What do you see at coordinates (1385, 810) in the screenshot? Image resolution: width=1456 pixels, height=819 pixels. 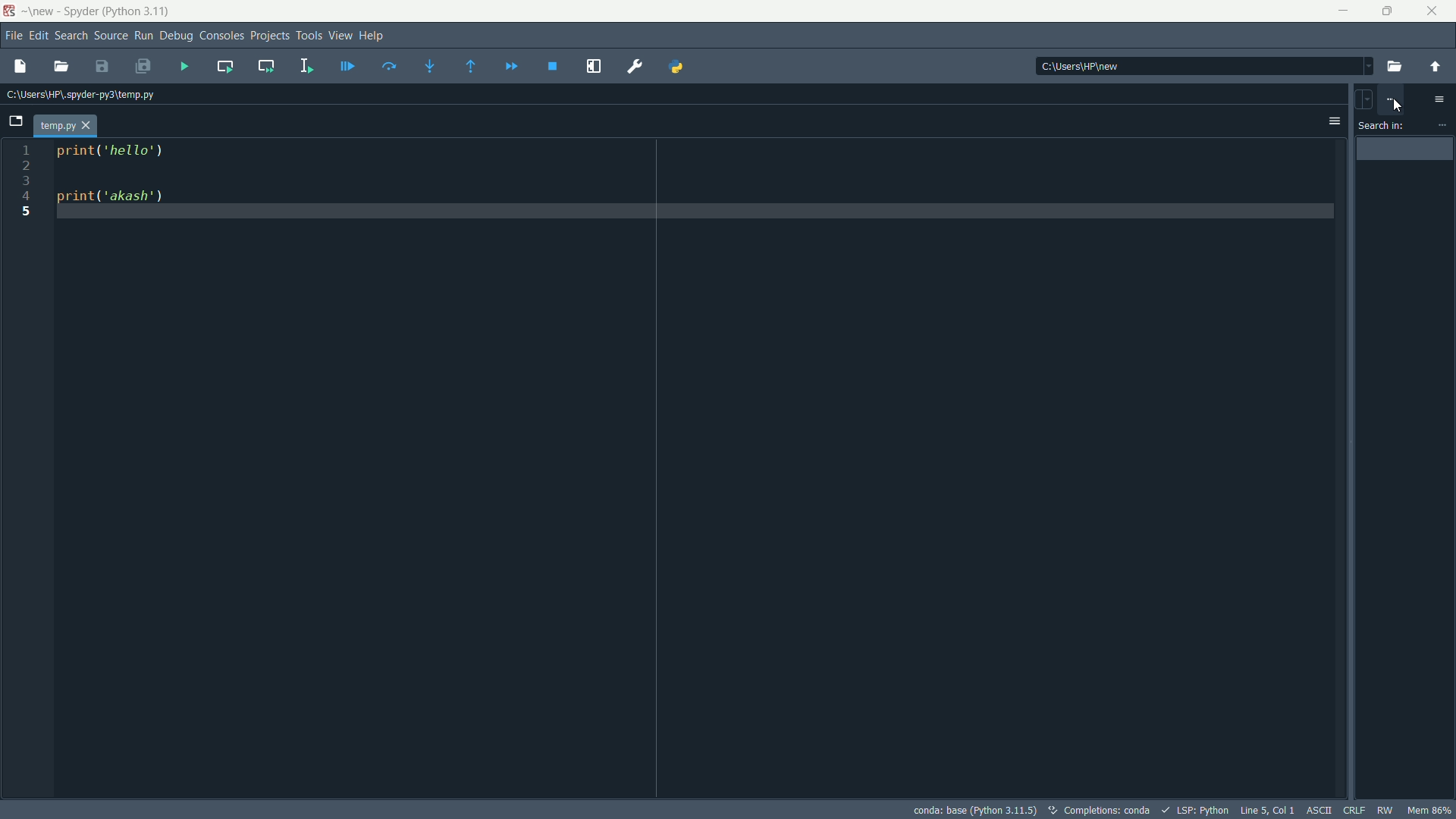 I see `RW` at bounding box center [1385, 810].